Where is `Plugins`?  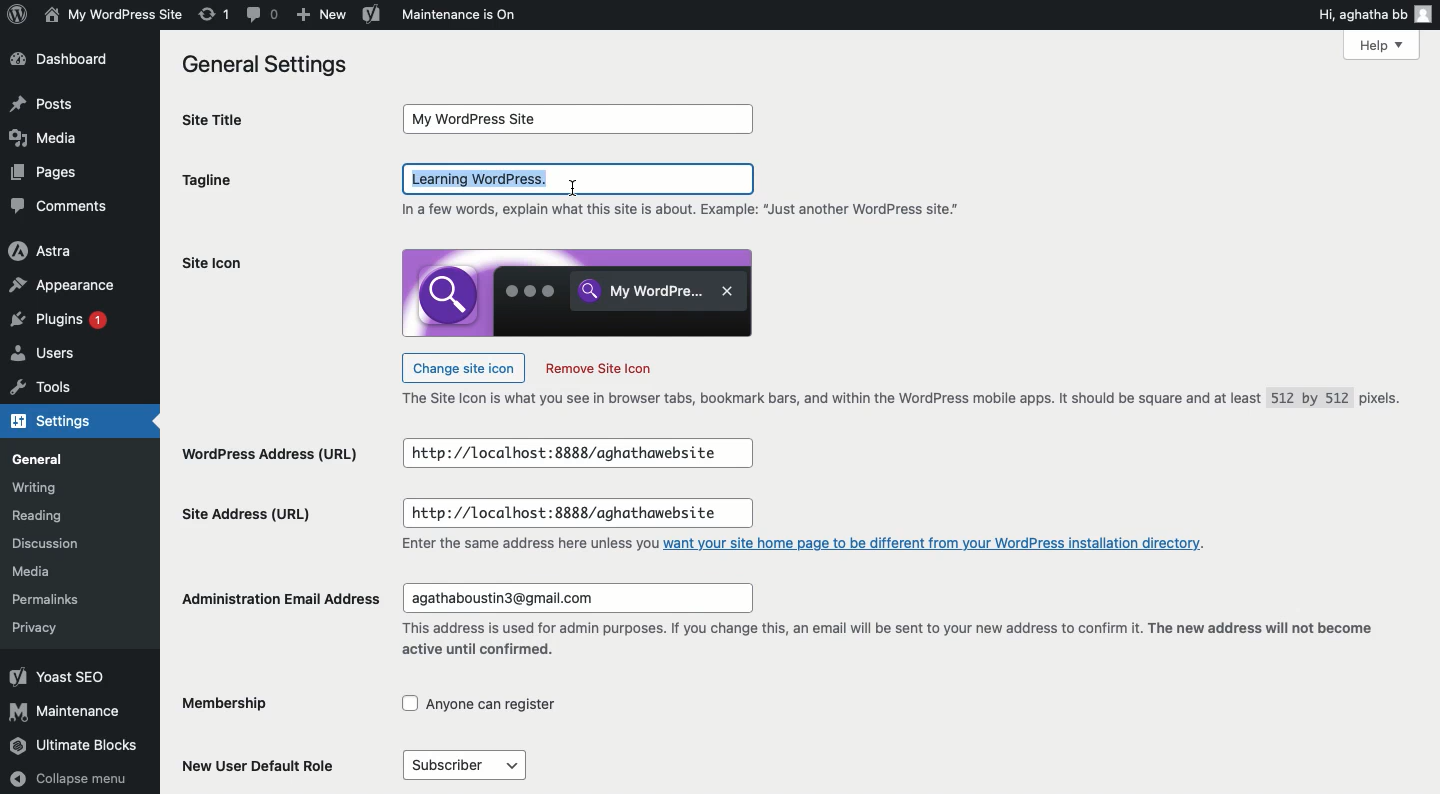
Plugins is located at coordinates (63, 322).